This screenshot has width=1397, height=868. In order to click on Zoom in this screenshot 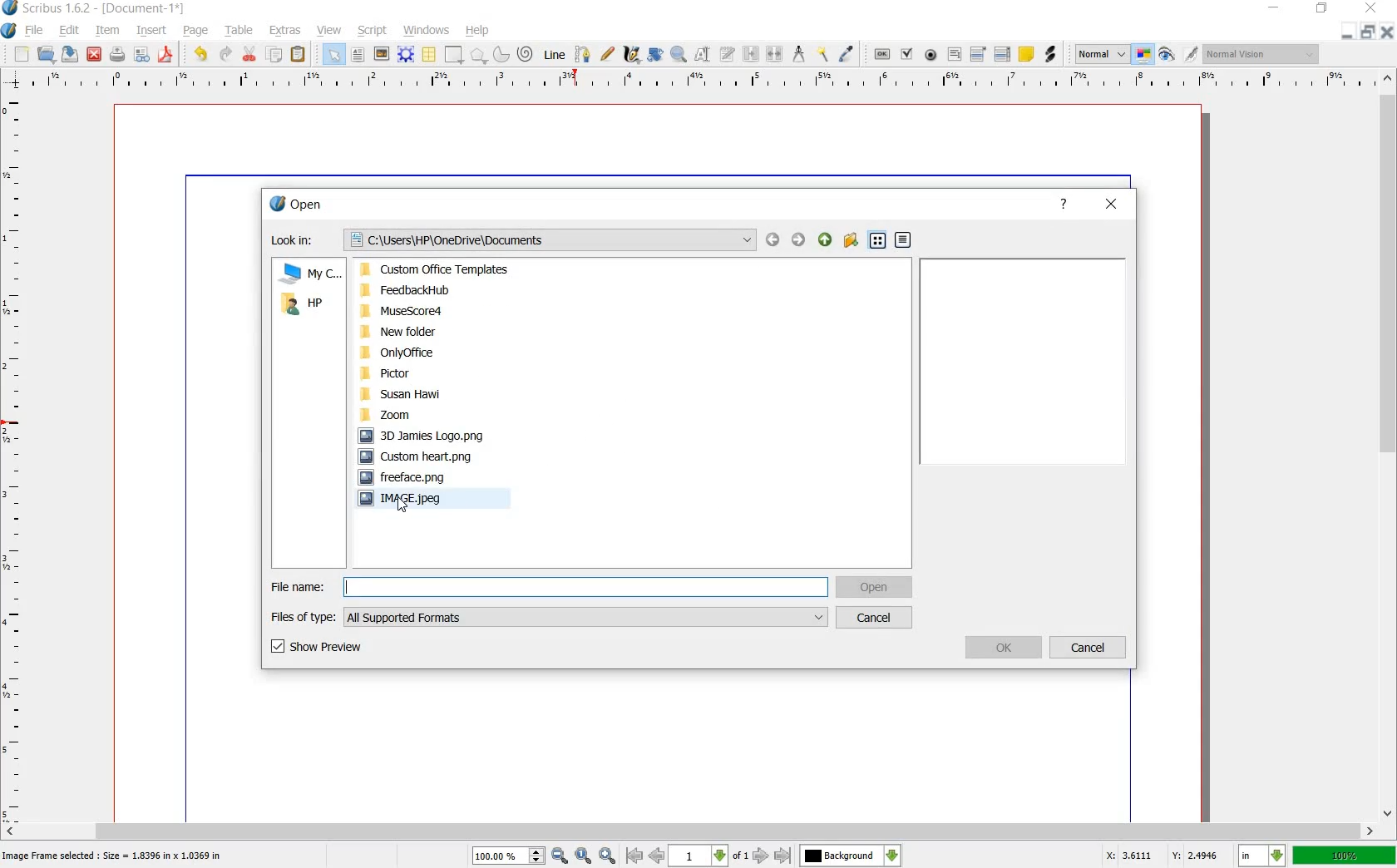, I will do `click(388, 415)`.